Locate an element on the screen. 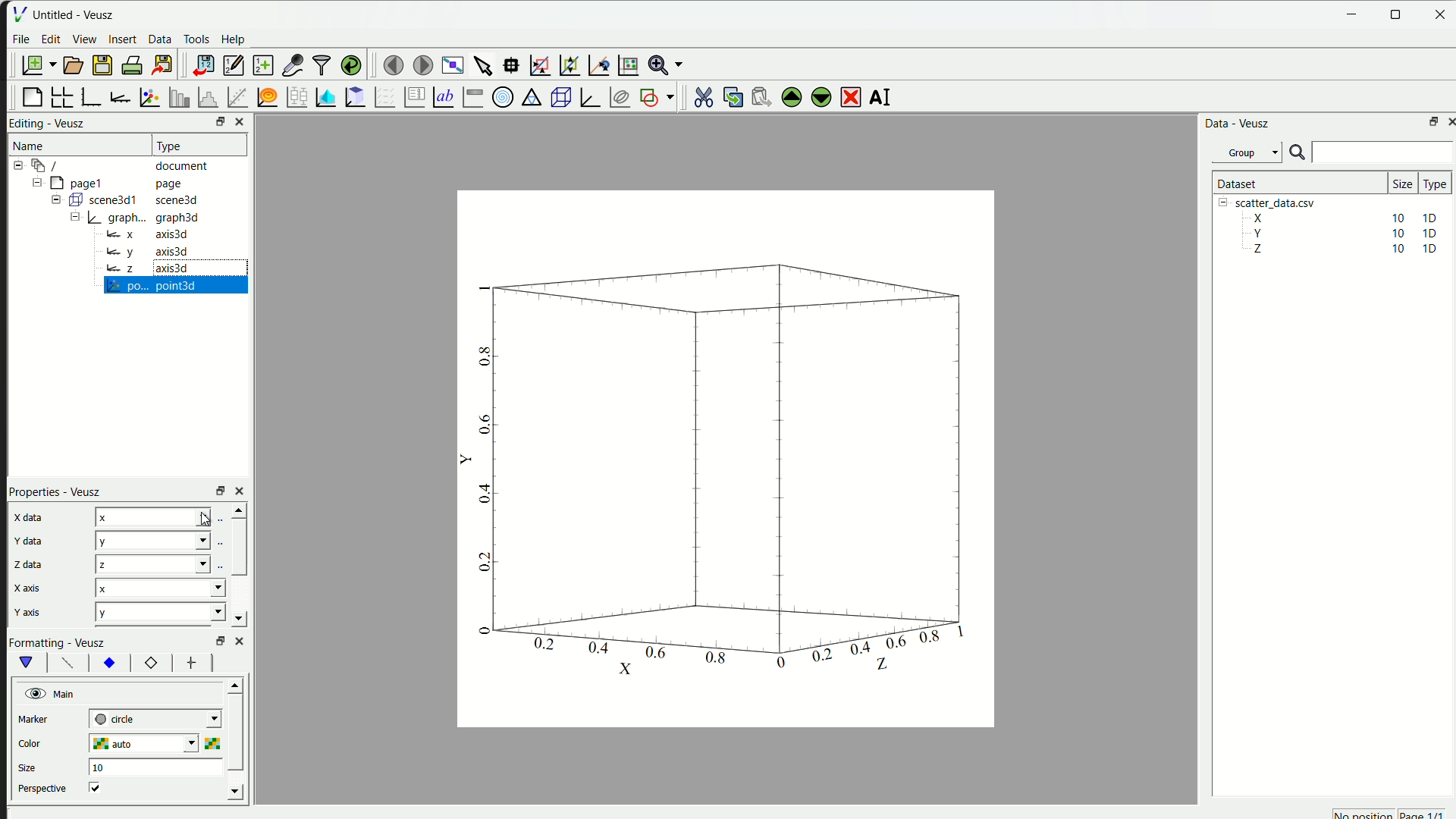  Formatting - Veusz is located at coordinates (64, 642).